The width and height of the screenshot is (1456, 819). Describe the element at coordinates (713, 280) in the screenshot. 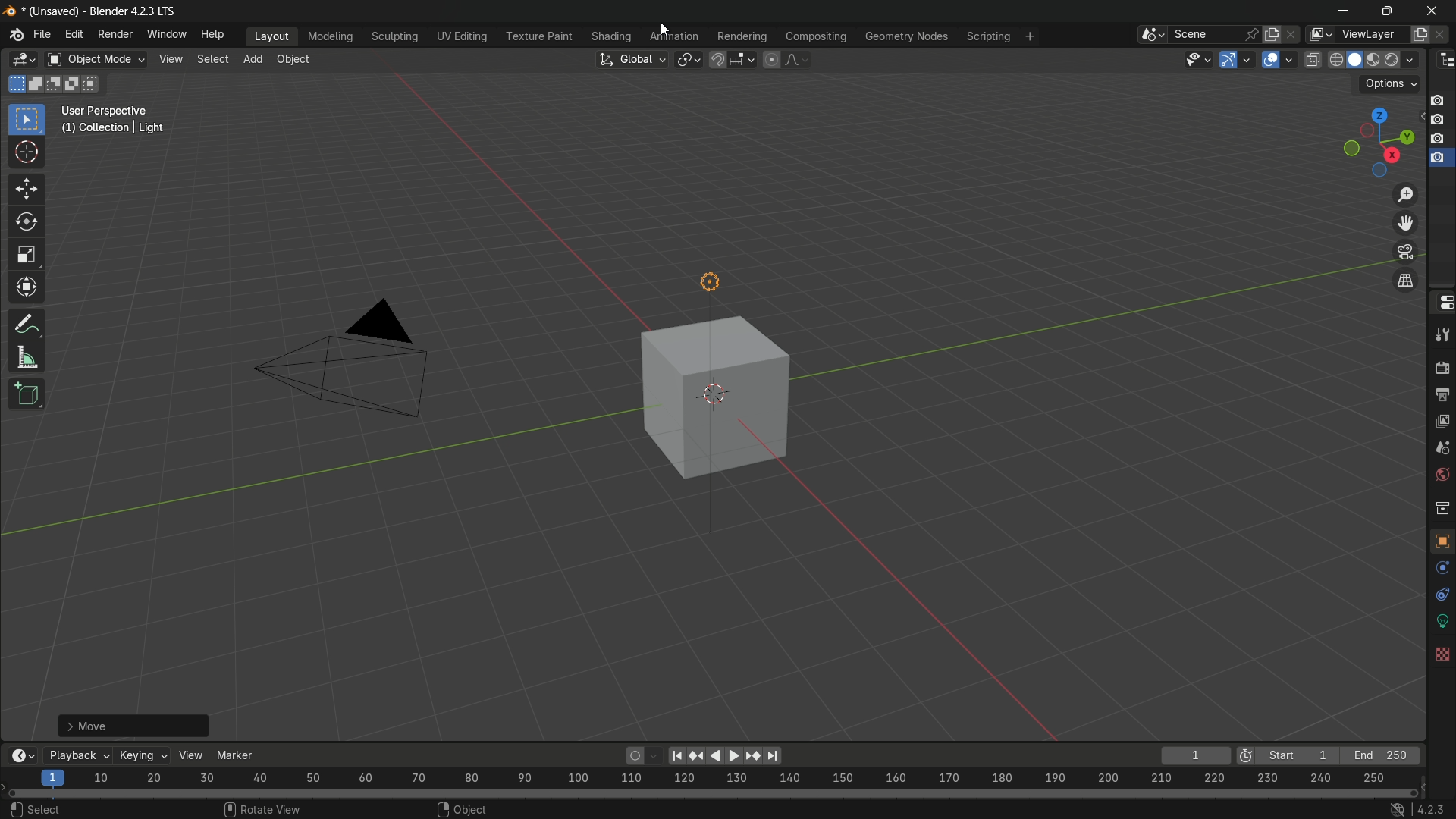

I see `light` at that location.